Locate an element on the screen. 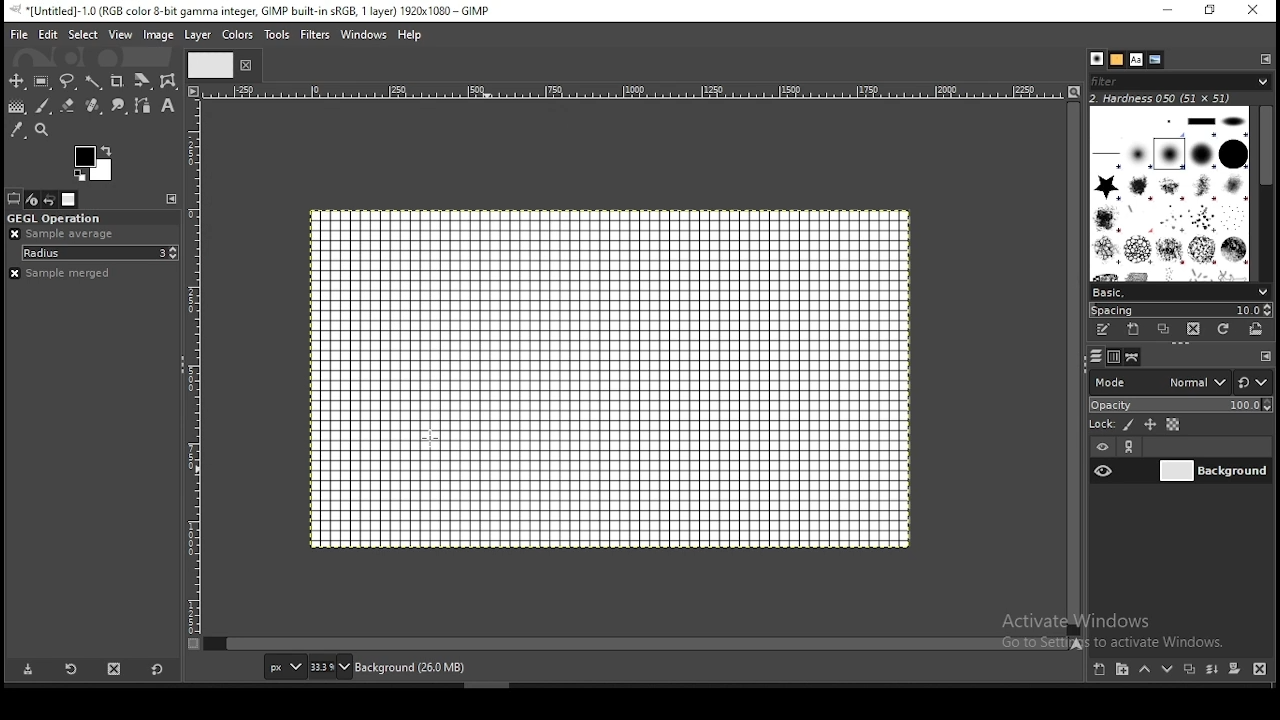 This screenshot has height=720, width=1280. delete tool preset is located at coordinates (122, 671).